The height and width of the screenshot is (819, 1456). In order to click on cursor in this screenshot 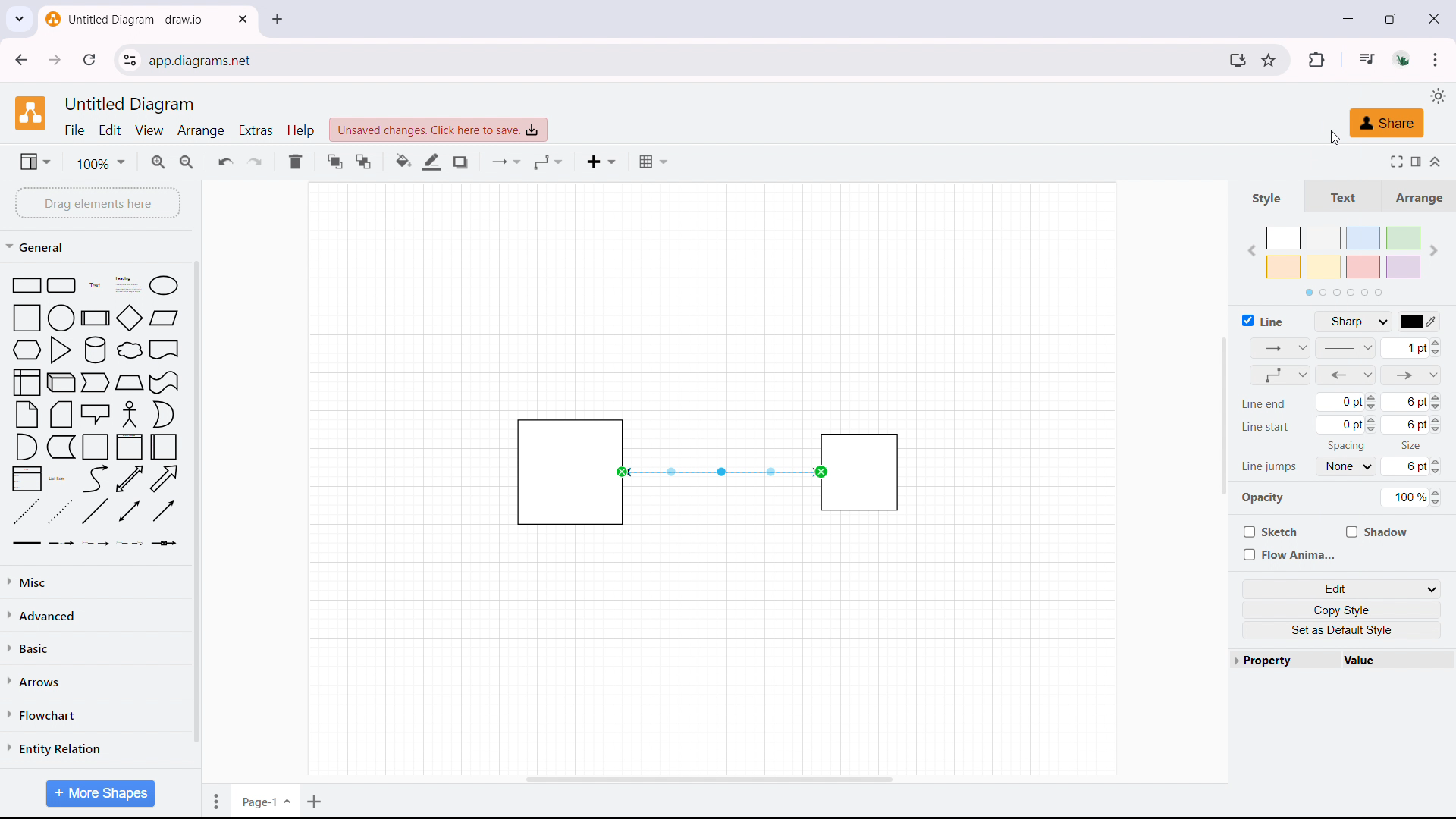, I will do `click(1326, 138)`.